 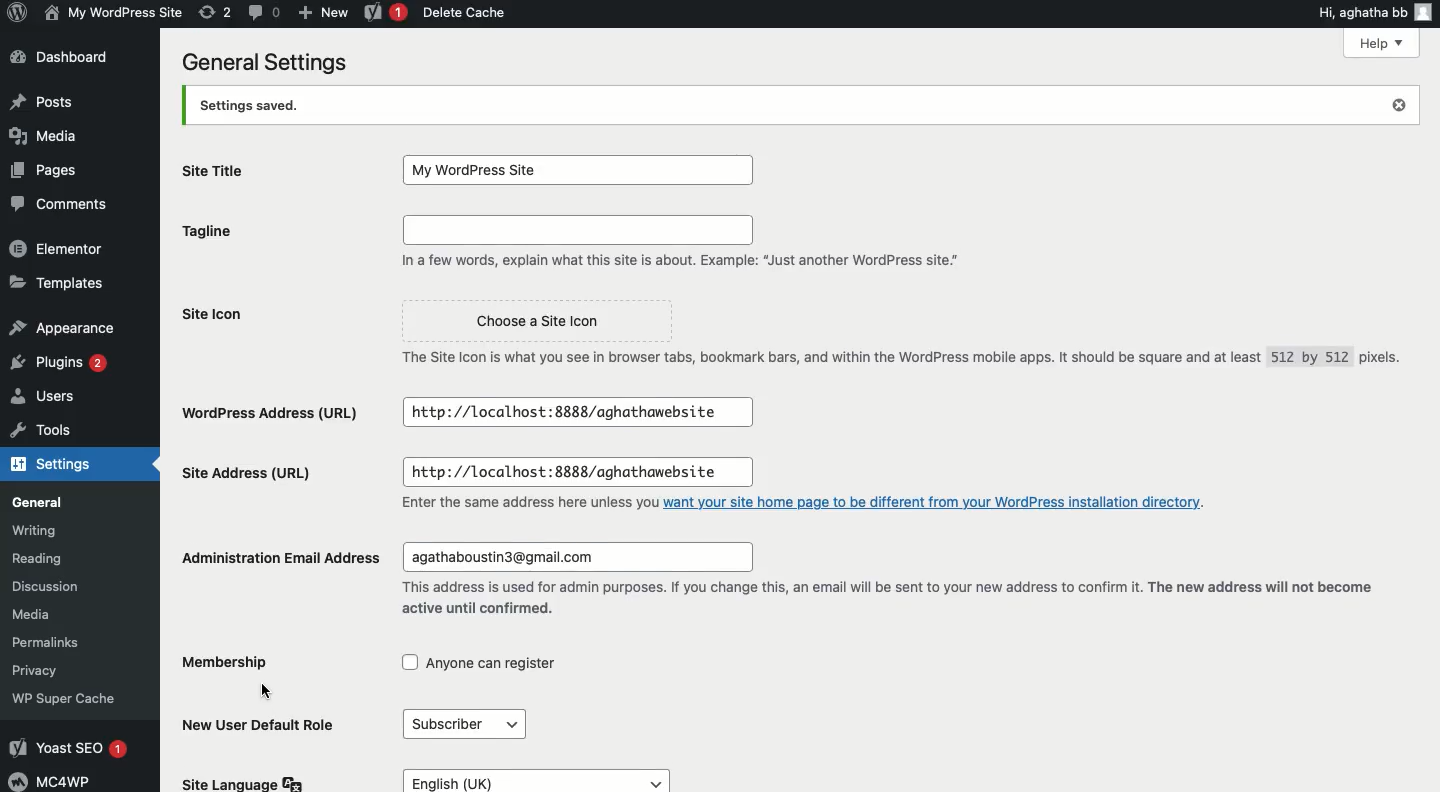 What do you see at coordinates (37, 530) in the screenshot?
I see `Writing` at bounding box center [37, 530].